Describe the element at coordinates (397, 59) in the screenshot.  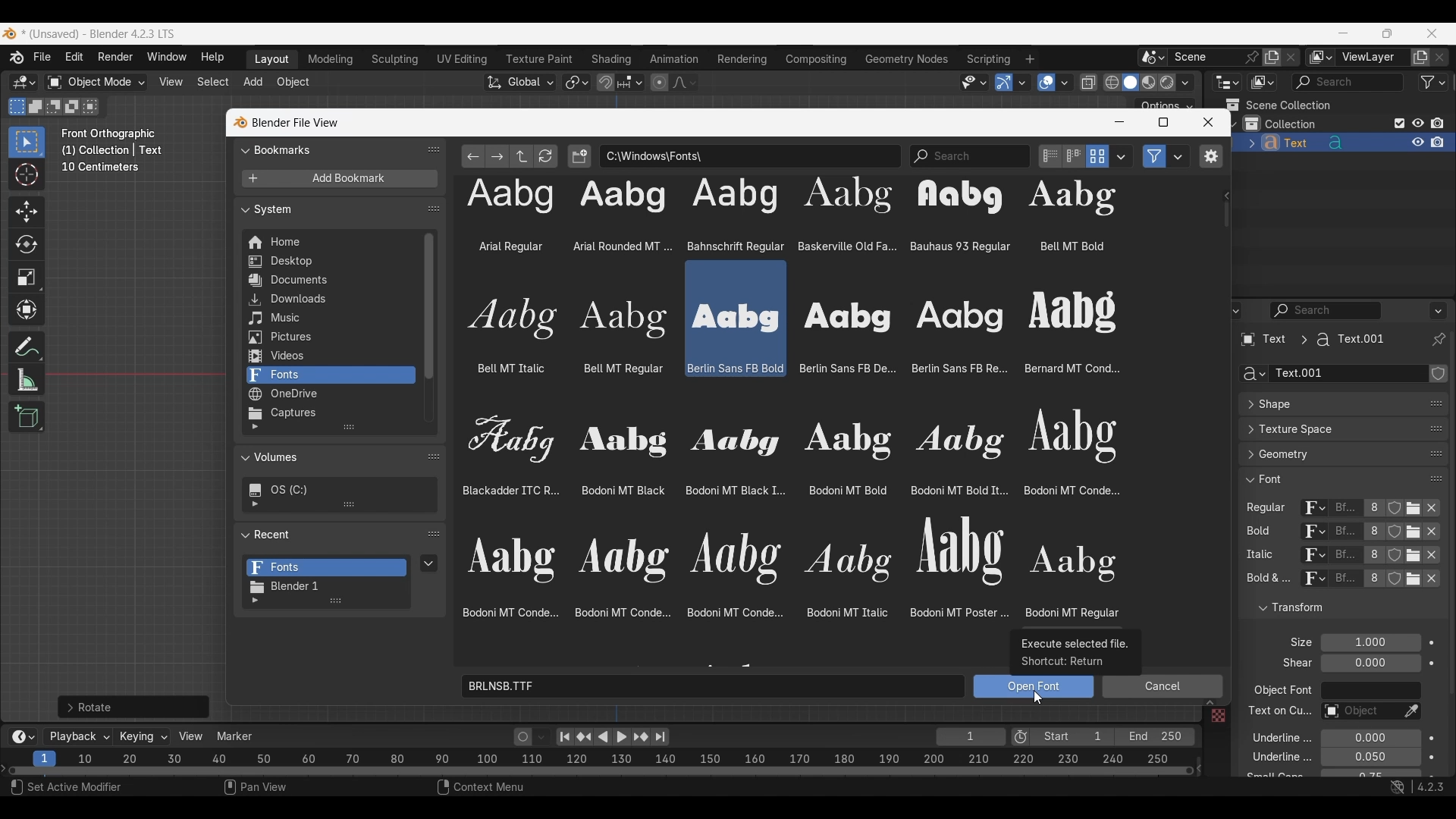
I see `Sculpting workspace` at that location.